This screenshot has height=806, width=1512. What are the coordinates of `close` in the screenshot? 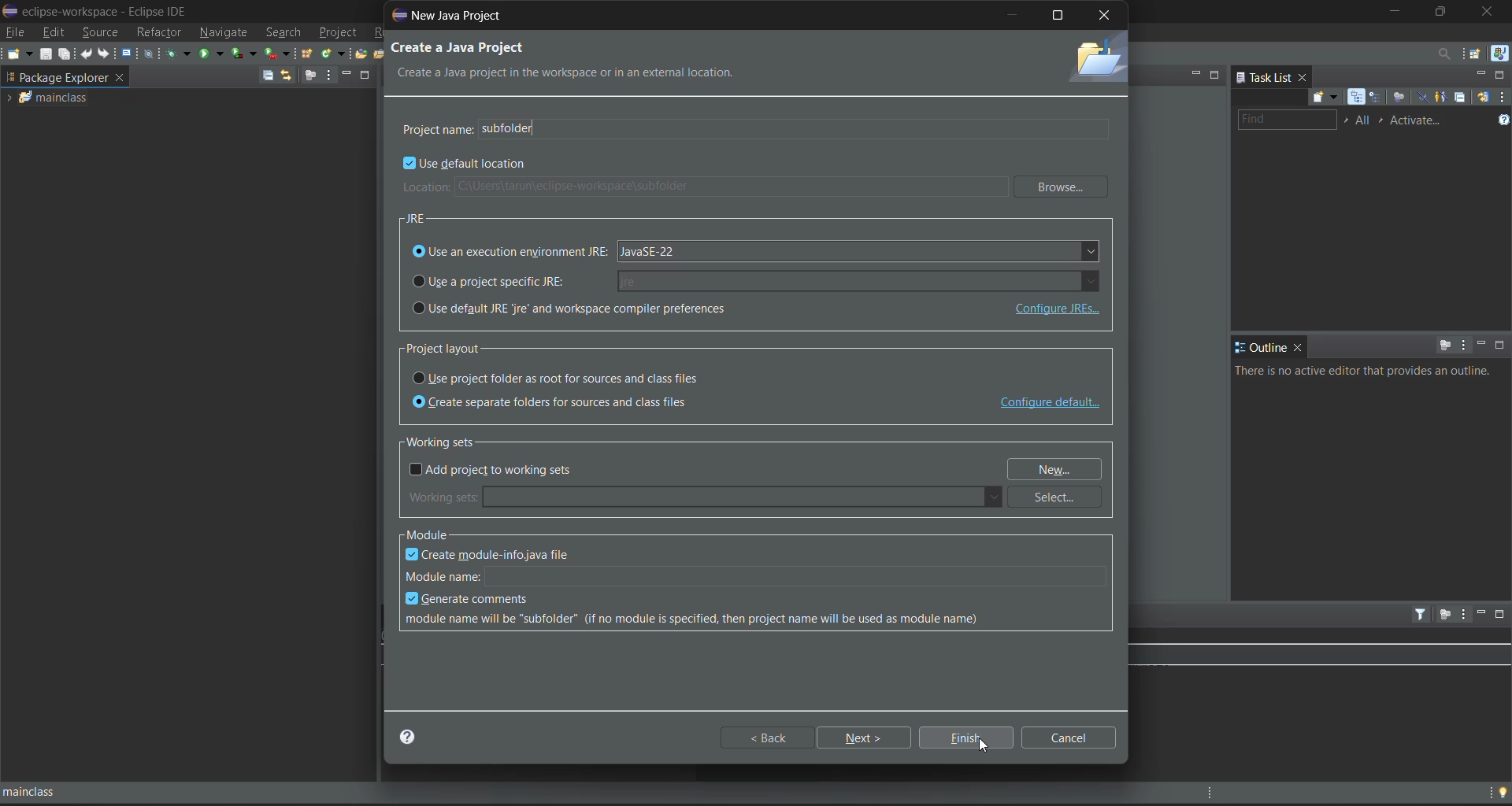 It's located at (1299, 347).